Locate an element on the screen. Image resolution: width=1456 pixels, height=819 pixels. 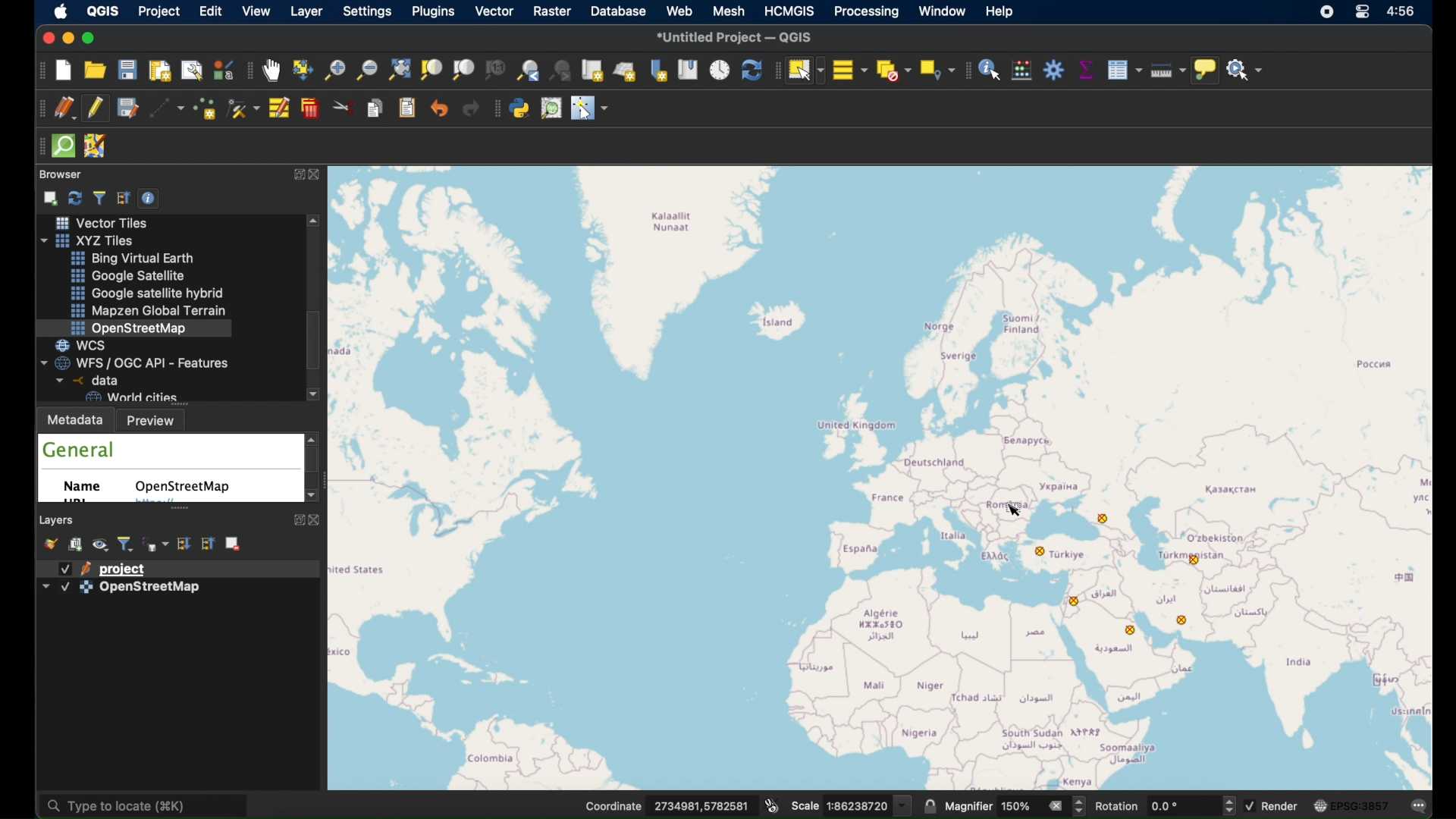
open layer styling panel is located at coordinates (52, 544).